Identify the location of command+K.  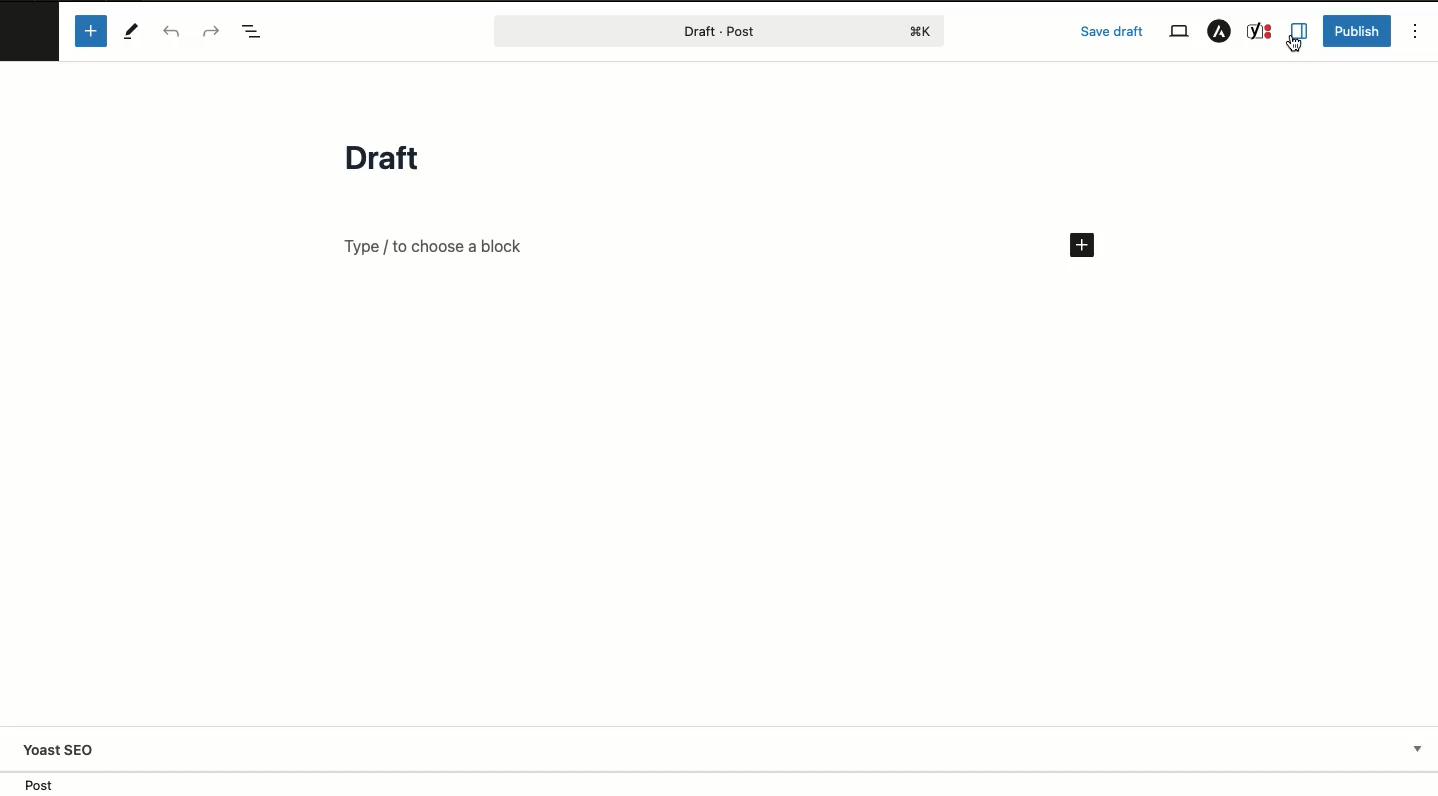
(922, 31).